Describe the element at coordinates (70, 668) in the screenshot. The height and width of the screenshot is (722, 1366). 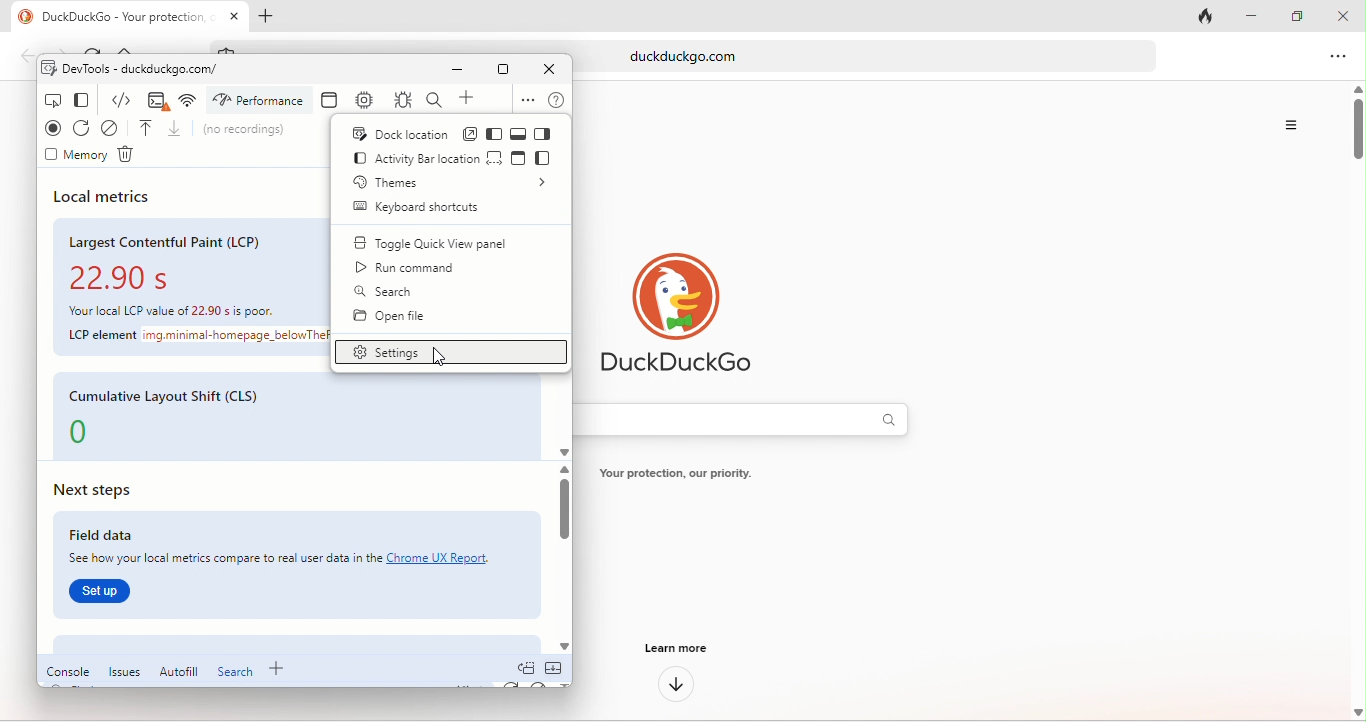
I see `console` at that location.